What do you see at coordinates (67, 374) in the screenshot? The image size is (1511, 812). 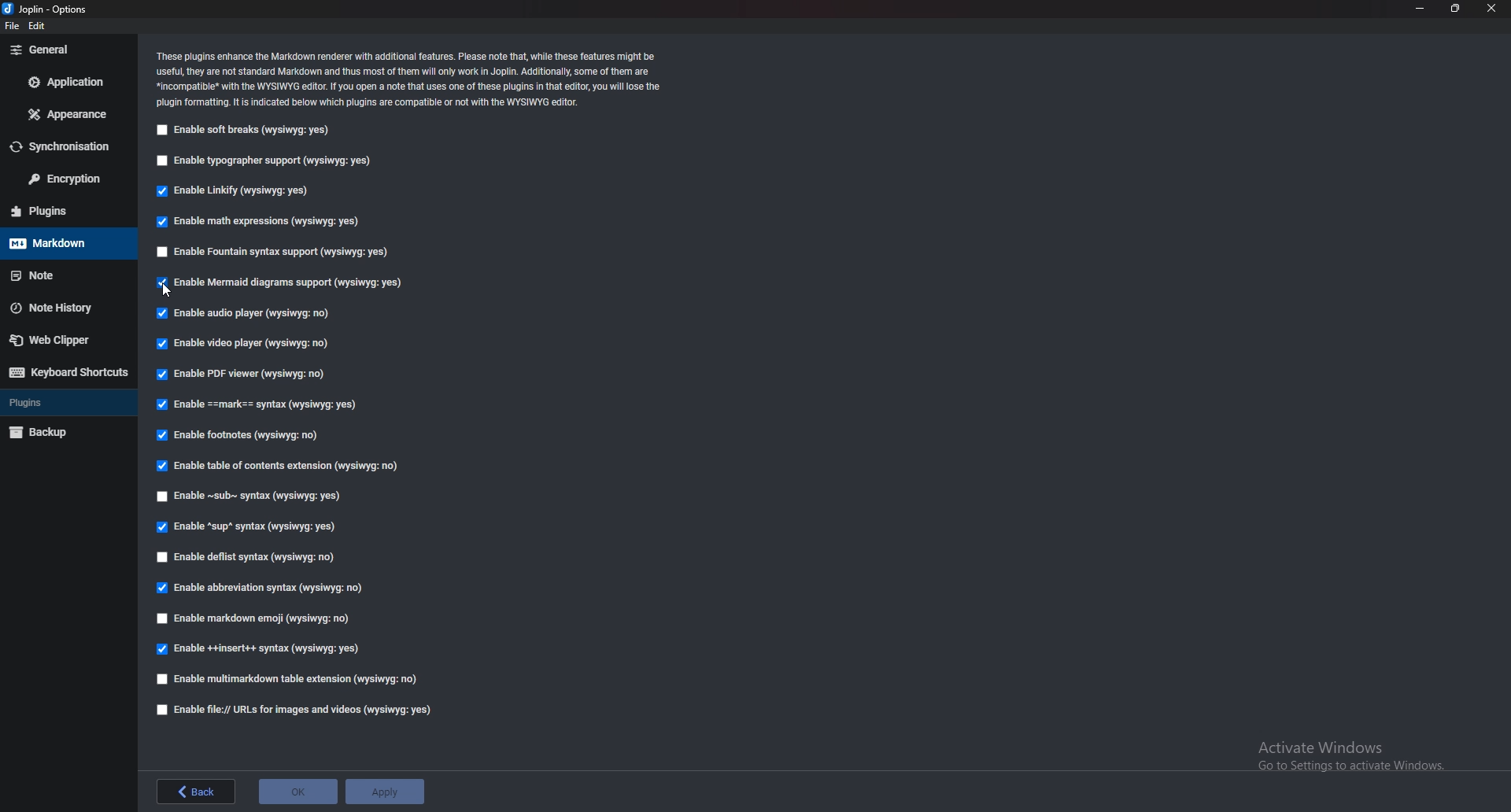 I see `Keyboard shortcuts` at bounding box center [67, 374].